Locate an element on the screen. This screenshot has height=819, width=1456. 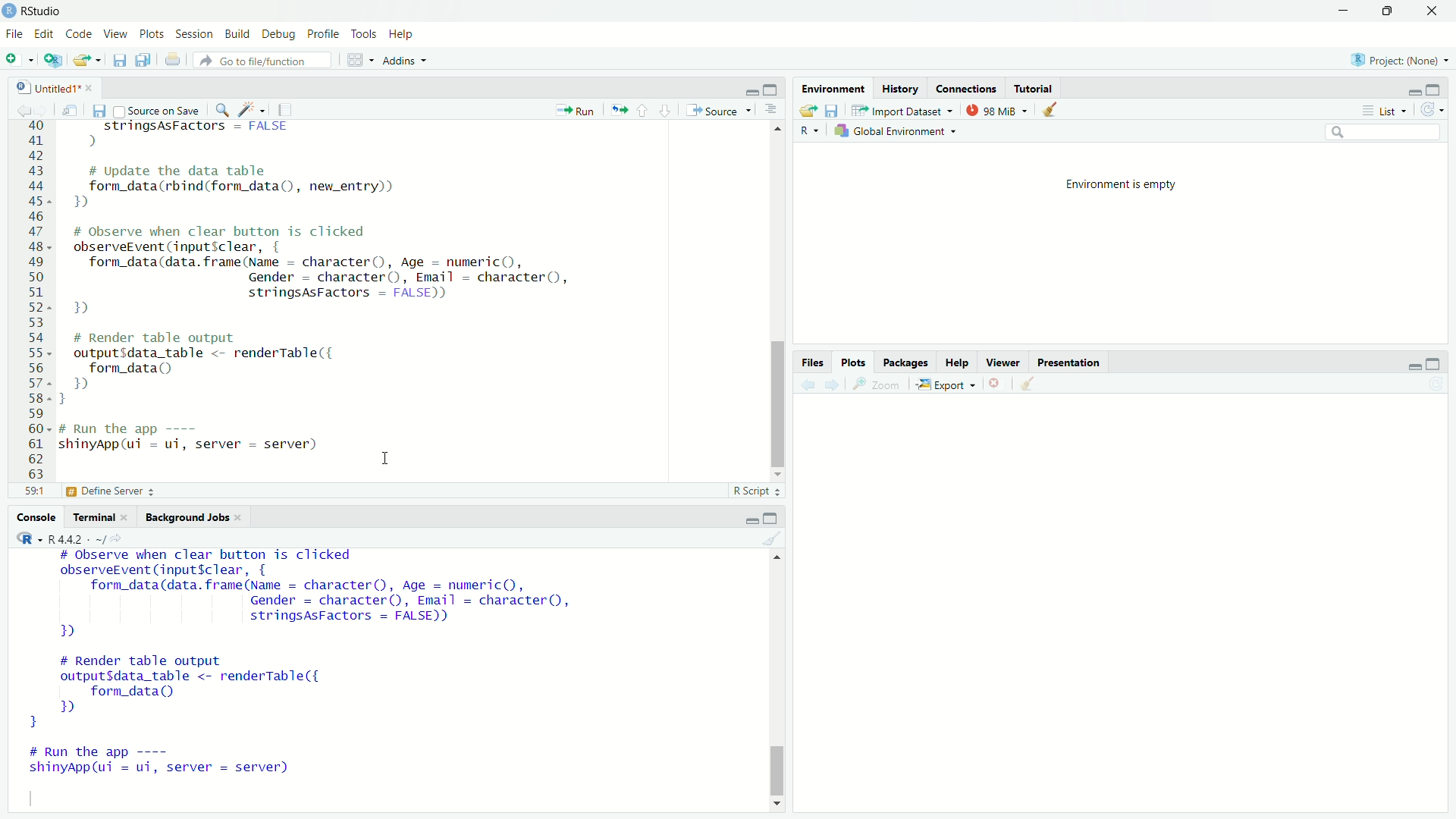
save current document is located at coordinates (98, 109).